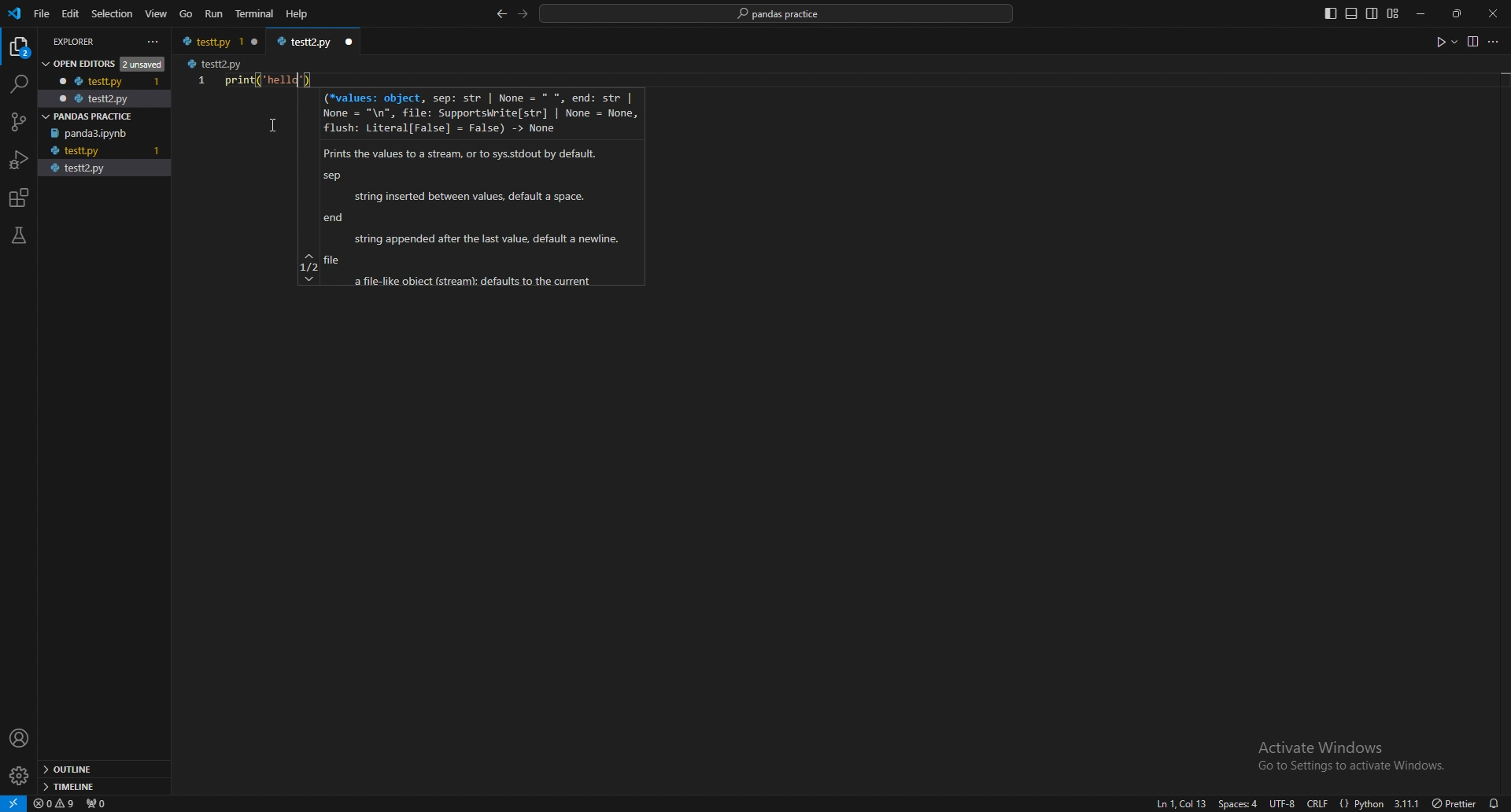  I want to click on explorer, so click(20, 47).